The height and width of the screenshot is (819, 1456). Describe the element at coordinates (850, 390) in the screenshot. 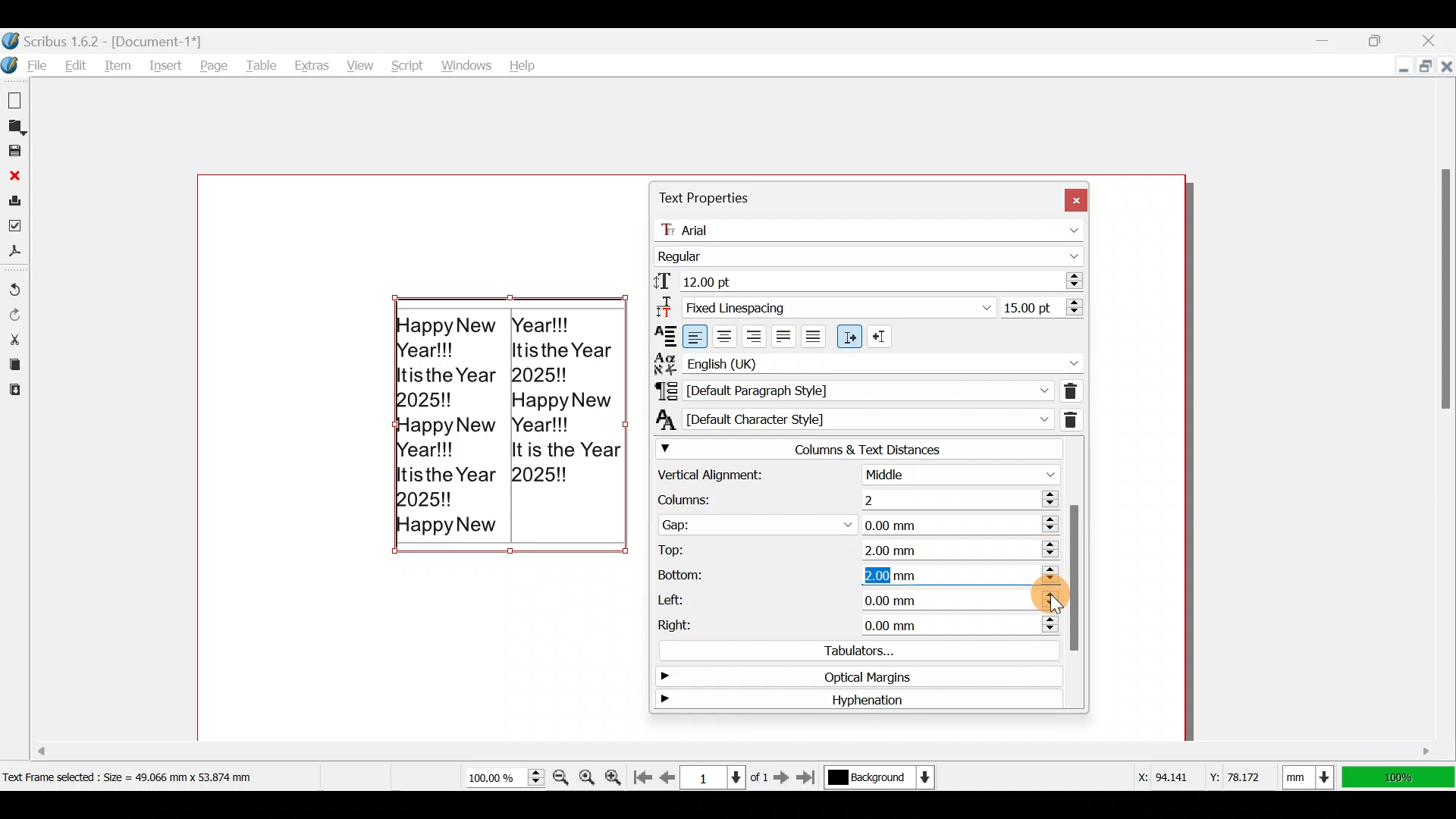

I see `Paragraph style of currently selected text/paragraph` at that location.